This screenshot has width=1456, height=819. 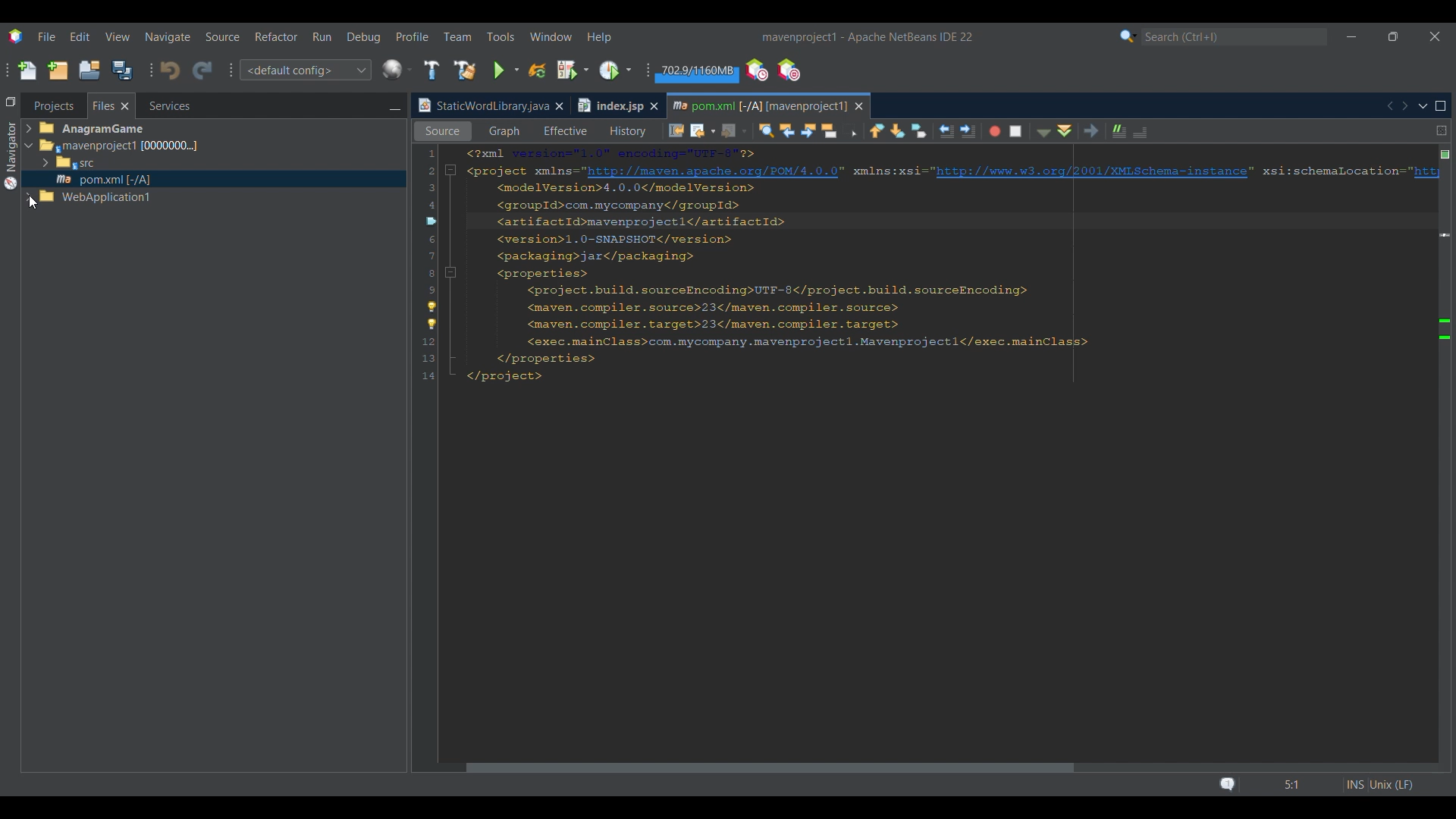 I want to click on Show in smaller tab, so click(x=1393, y=36).